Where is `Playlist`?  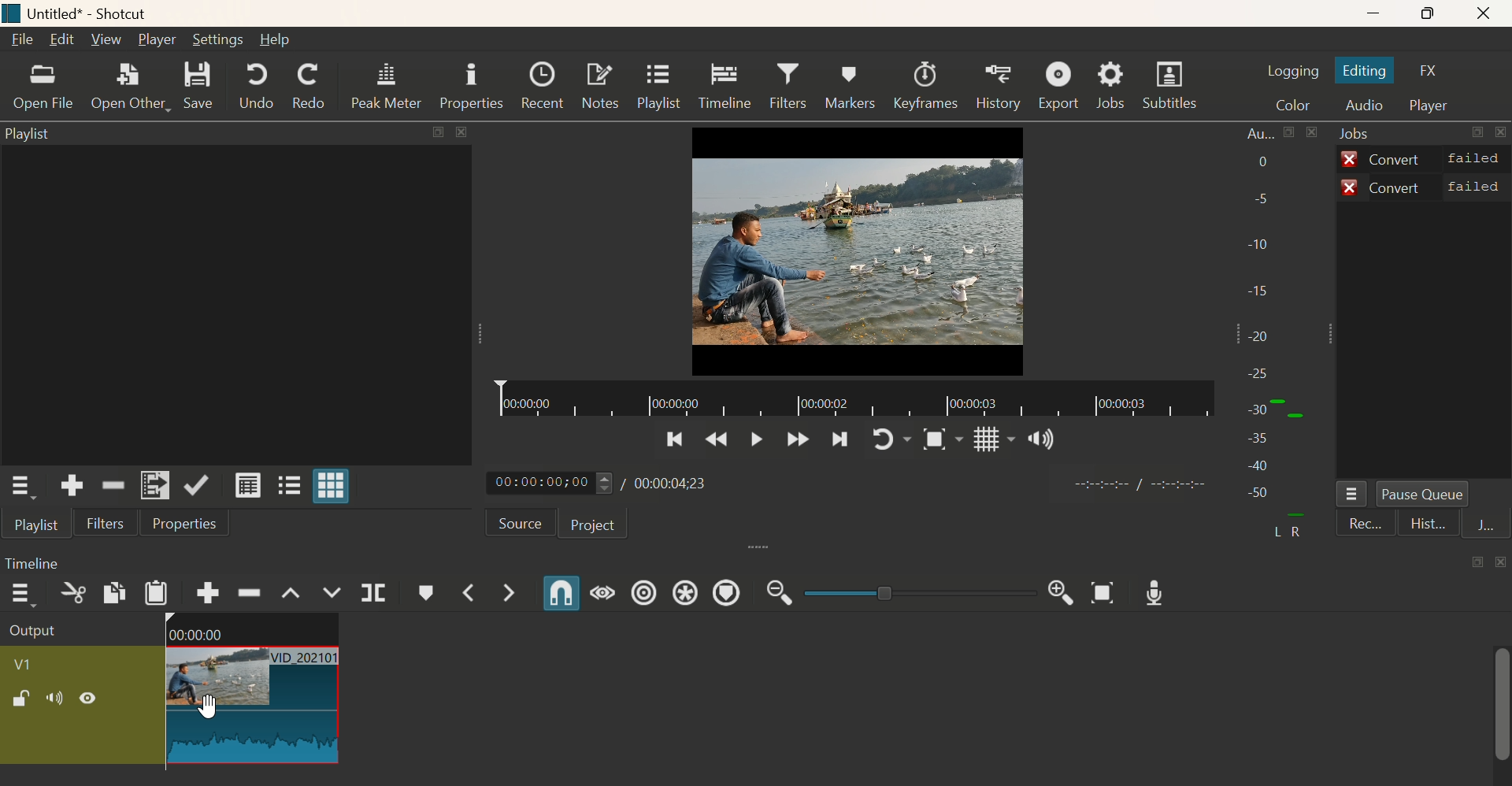 Playlist is located at coordinates (658, 87).